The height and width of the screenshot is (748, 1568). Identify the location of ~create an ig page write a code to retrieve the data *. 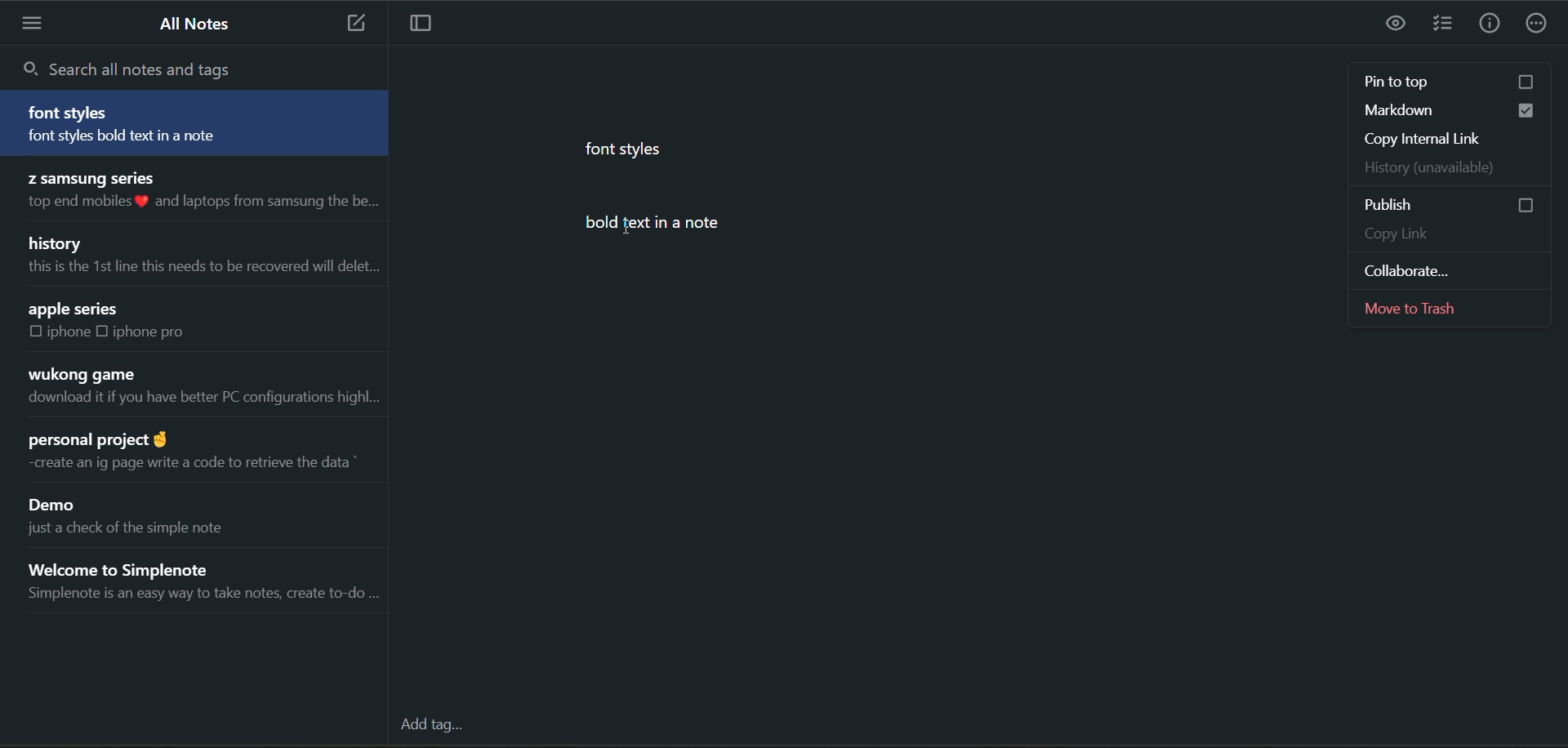
(188, 462).